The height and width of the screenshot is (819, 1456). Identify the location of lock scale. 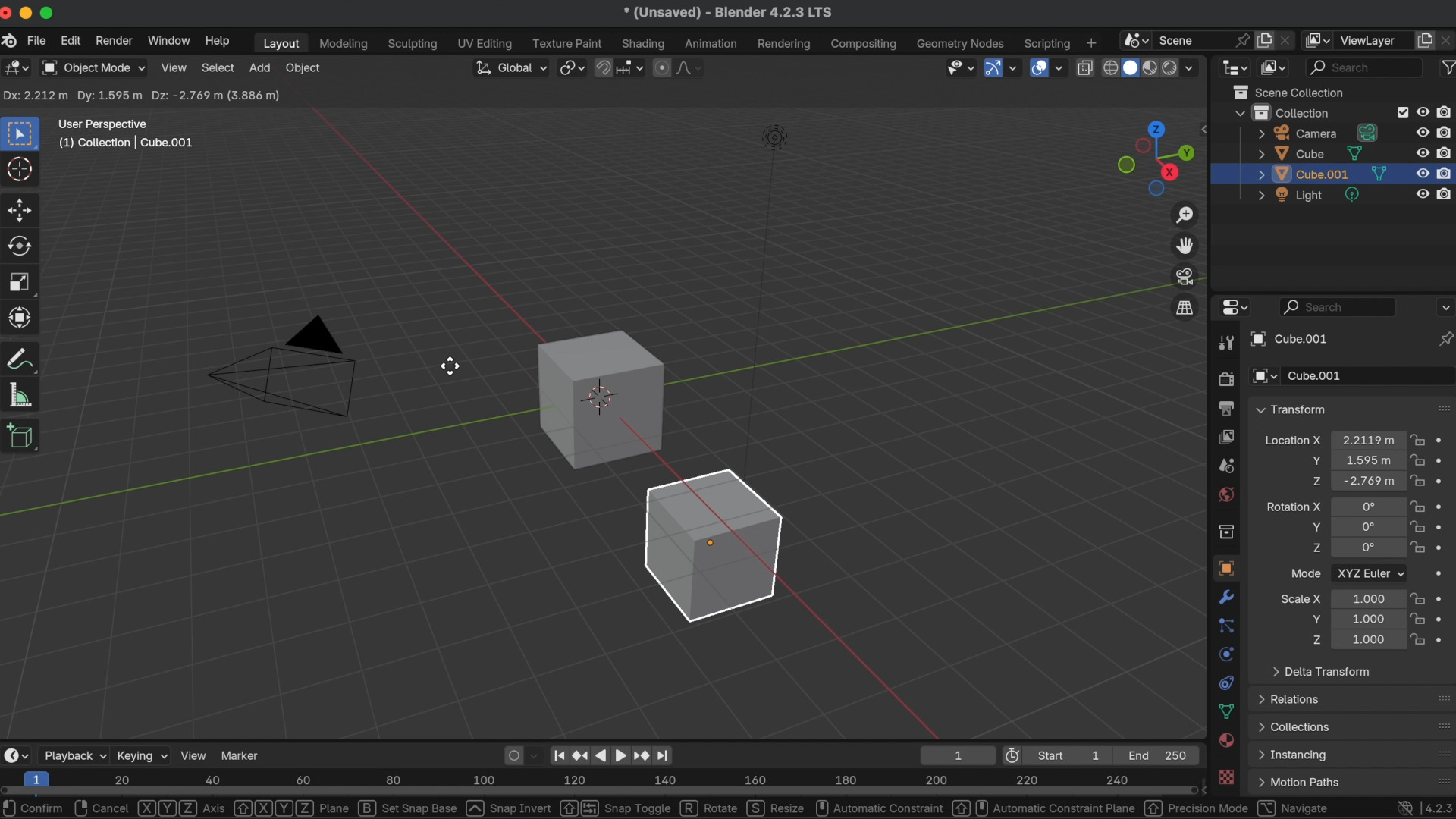
(1417, 598).